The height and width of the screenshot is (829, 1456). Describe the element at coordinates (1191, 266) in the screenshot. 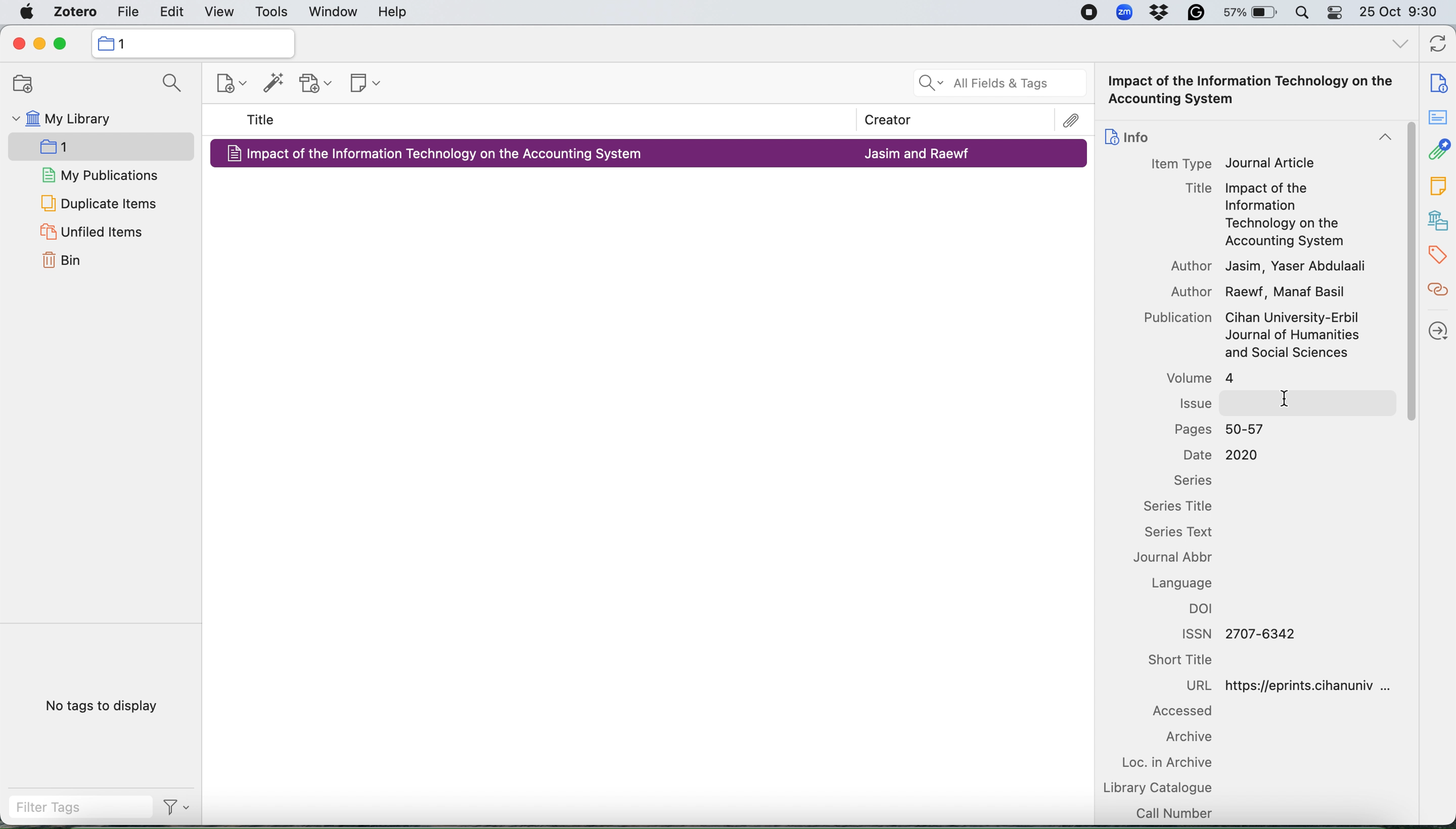

I see `Author` at that location.